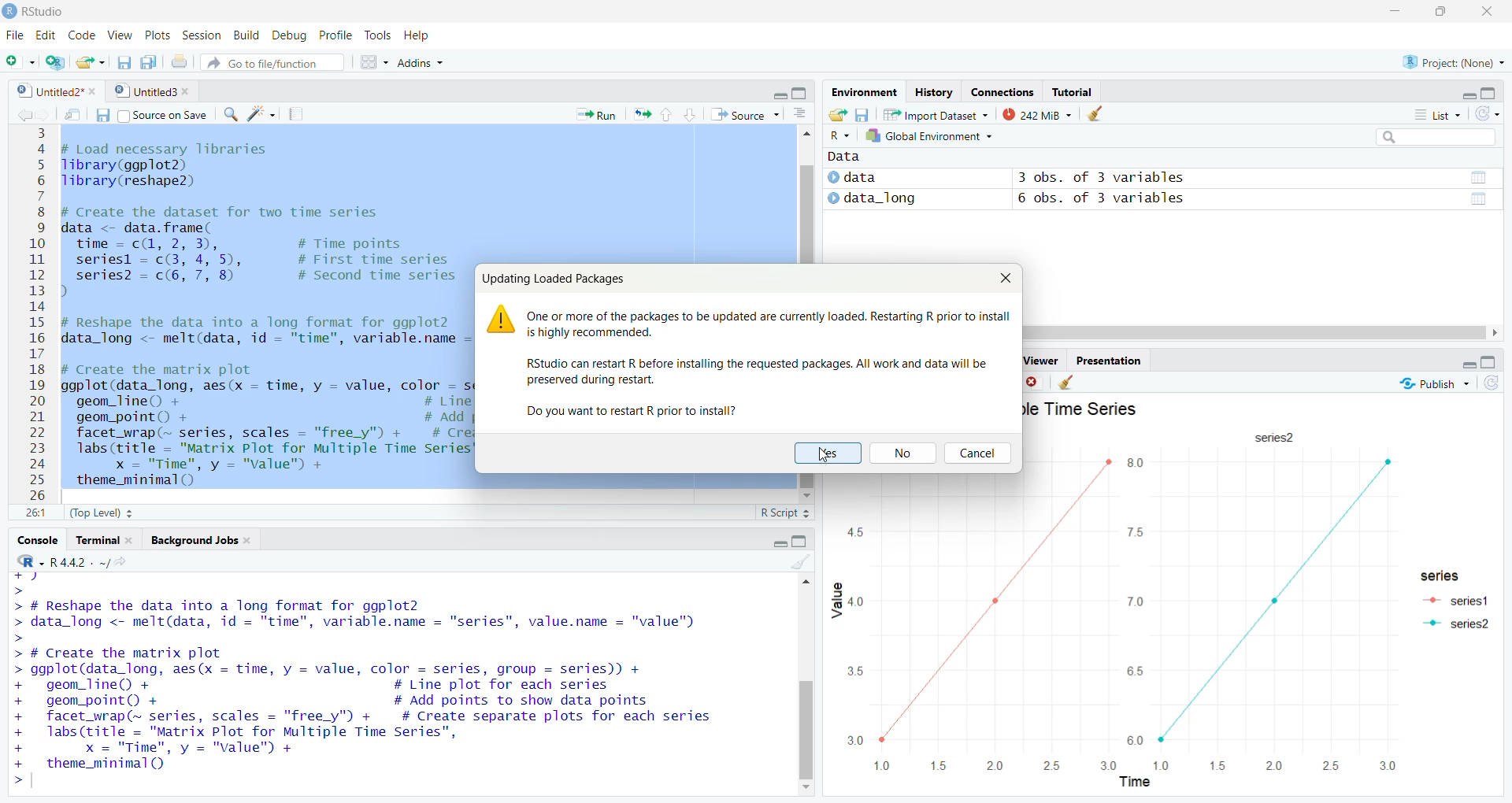  What do you see at coordinates (104, 541) in the screenshot?
I see `Terminal` at bounding box center [104, 541].